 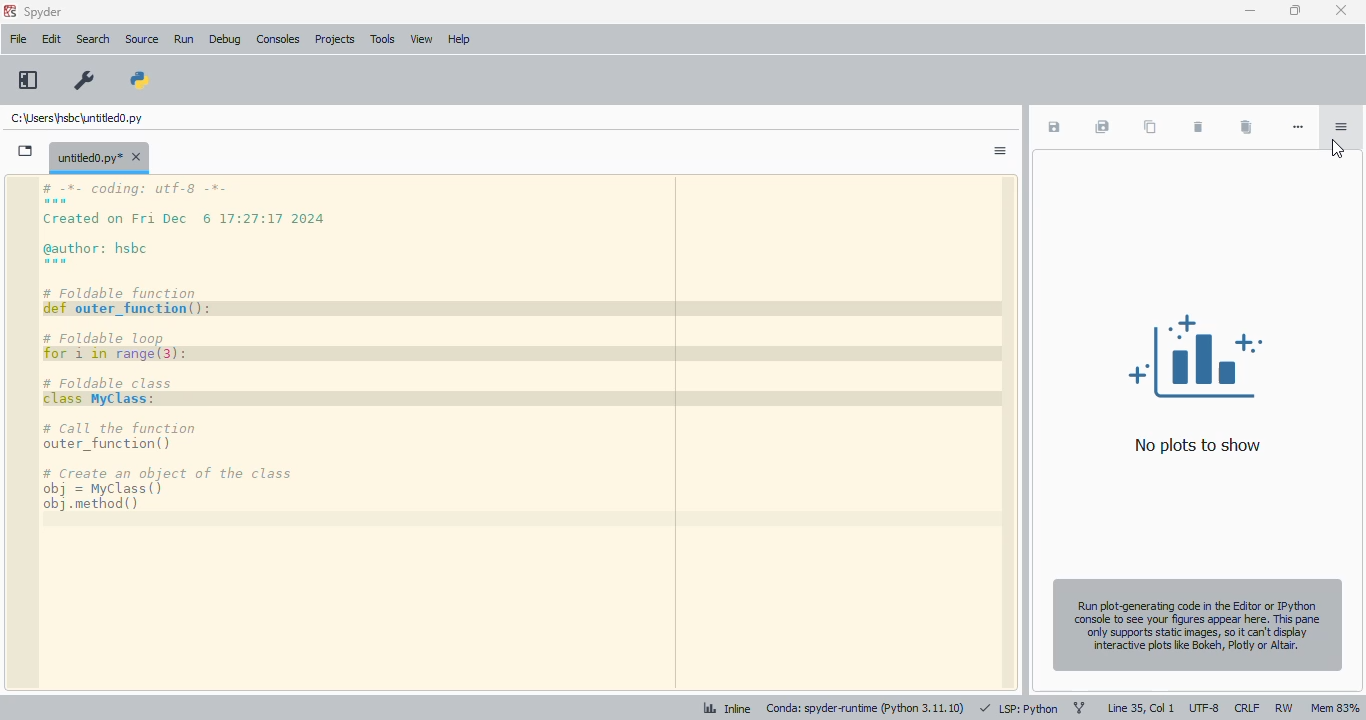 I want to click on scrollbar, so click(x=1006, y=434).